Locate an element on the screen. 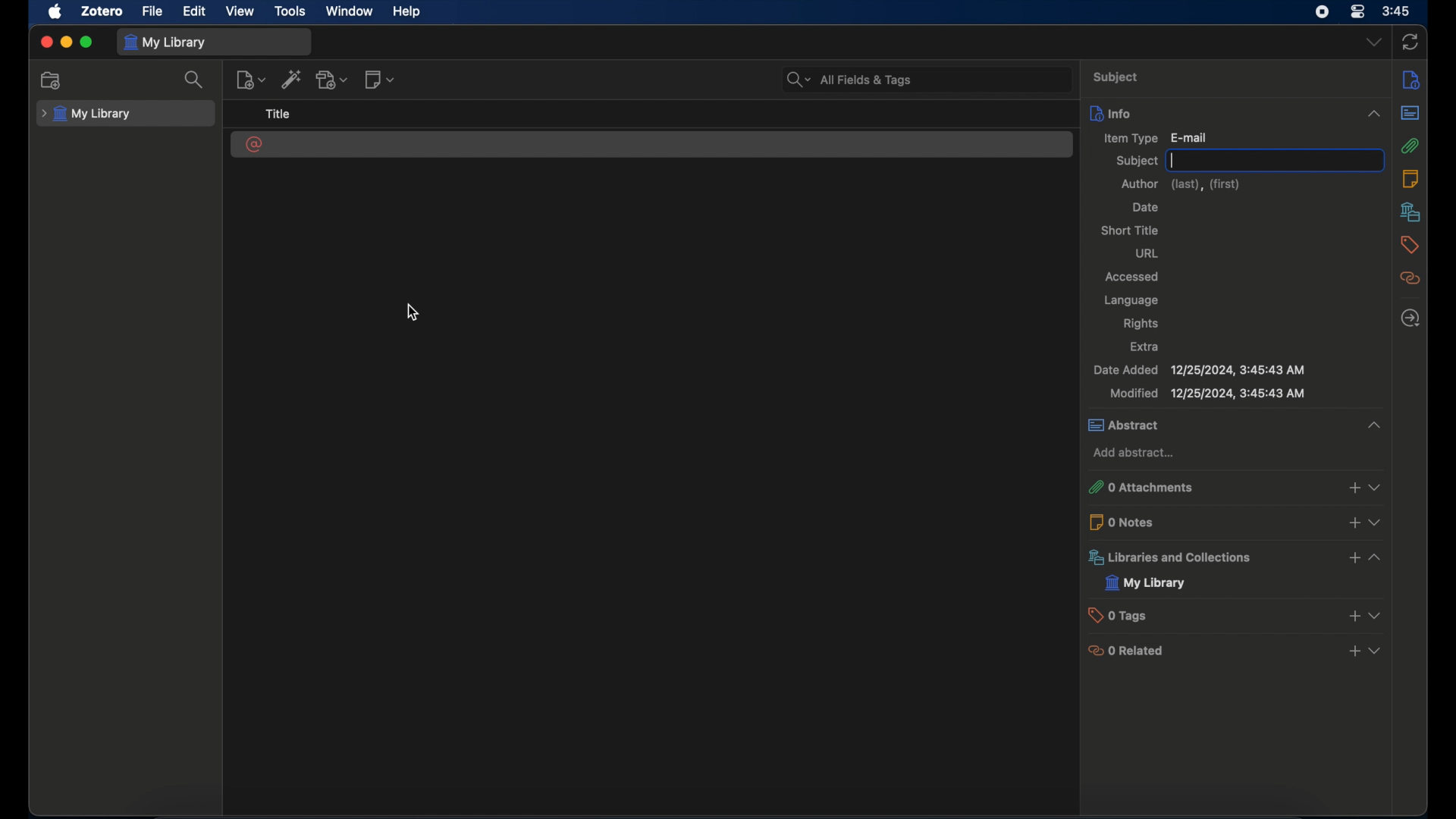  libraries is located at coordinates (1237, 557).